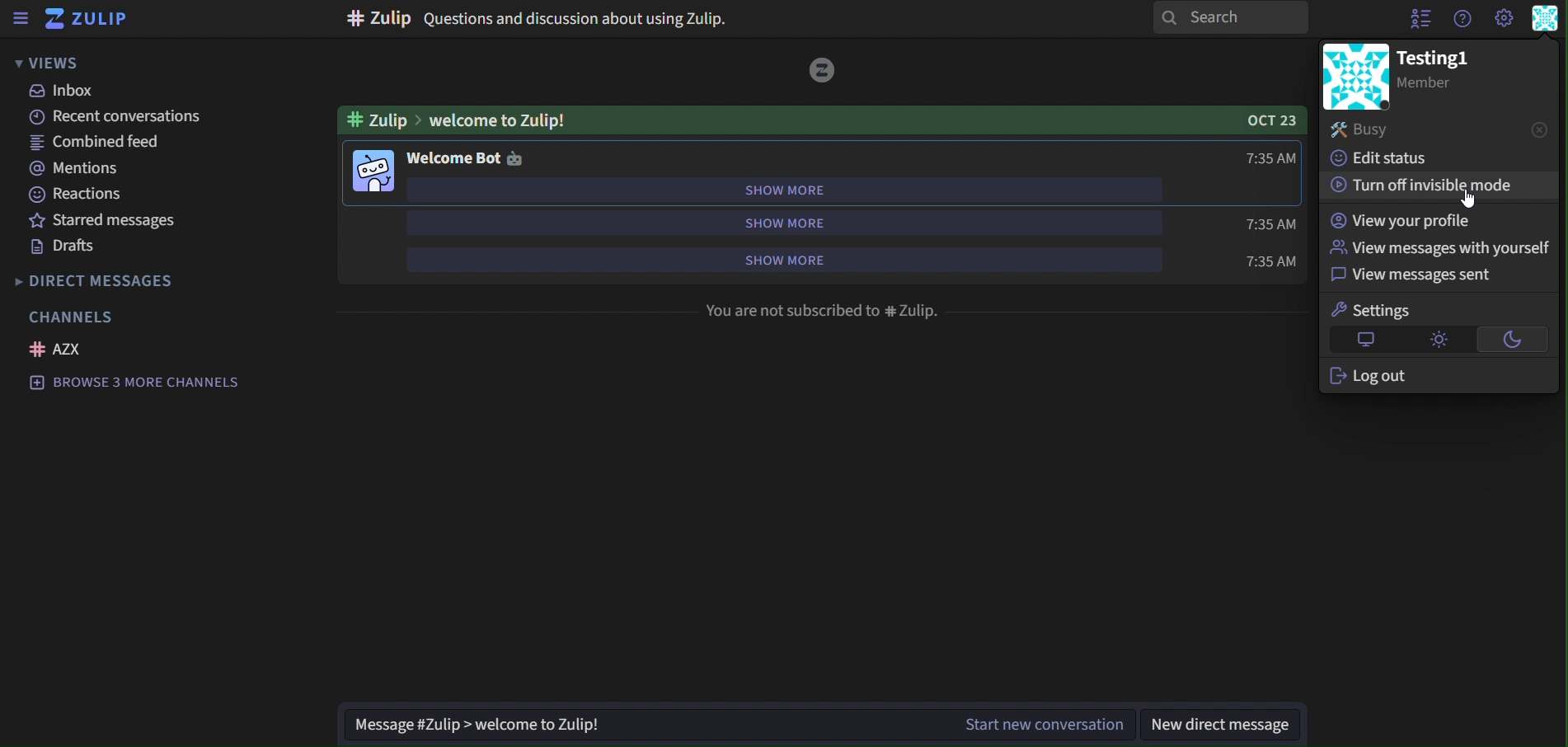  What do you see at coordinates (74, 318) in the screenshot?
I see `channels` at bounding box center [74, 318].